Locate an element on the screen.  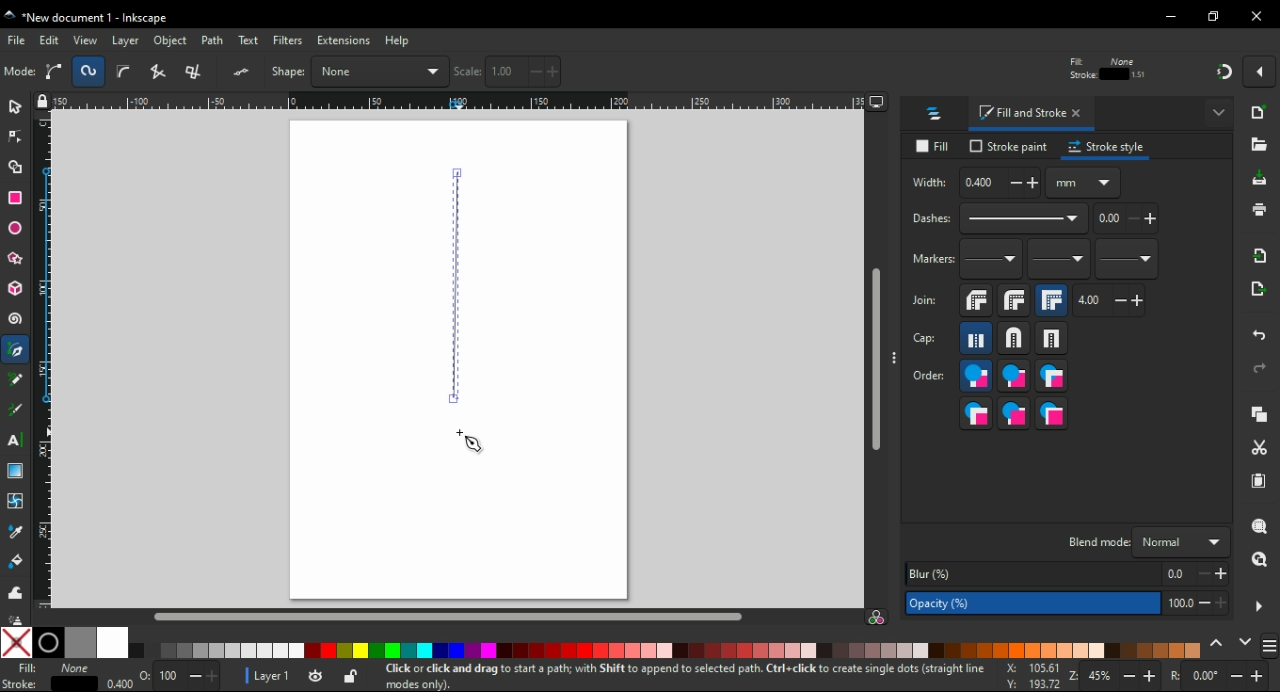
pattern offset is located at coordinates (1127, 219).